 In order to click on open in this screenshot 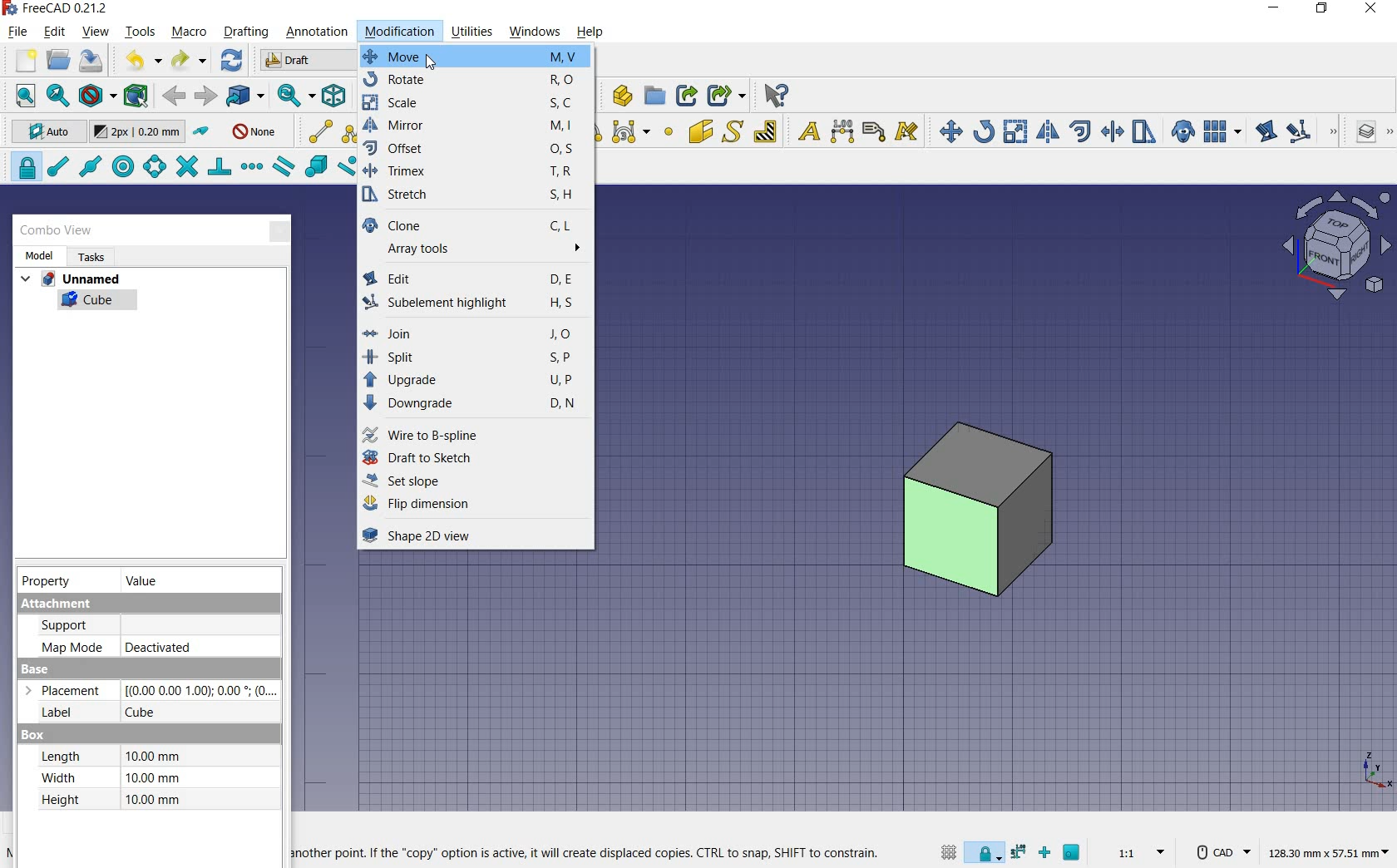, I will do `click(61, 61)`.